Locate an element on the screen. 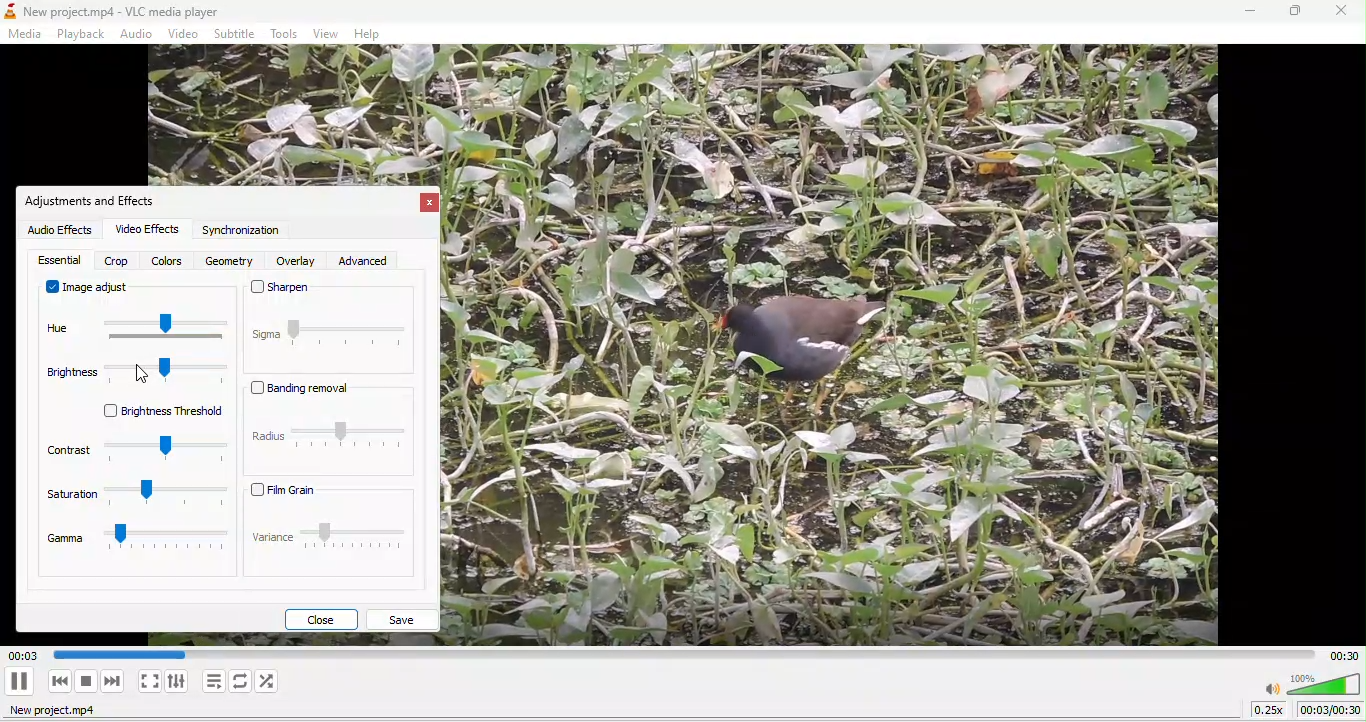  00.01/ 00.30 is located at coordinates (1332, 711).